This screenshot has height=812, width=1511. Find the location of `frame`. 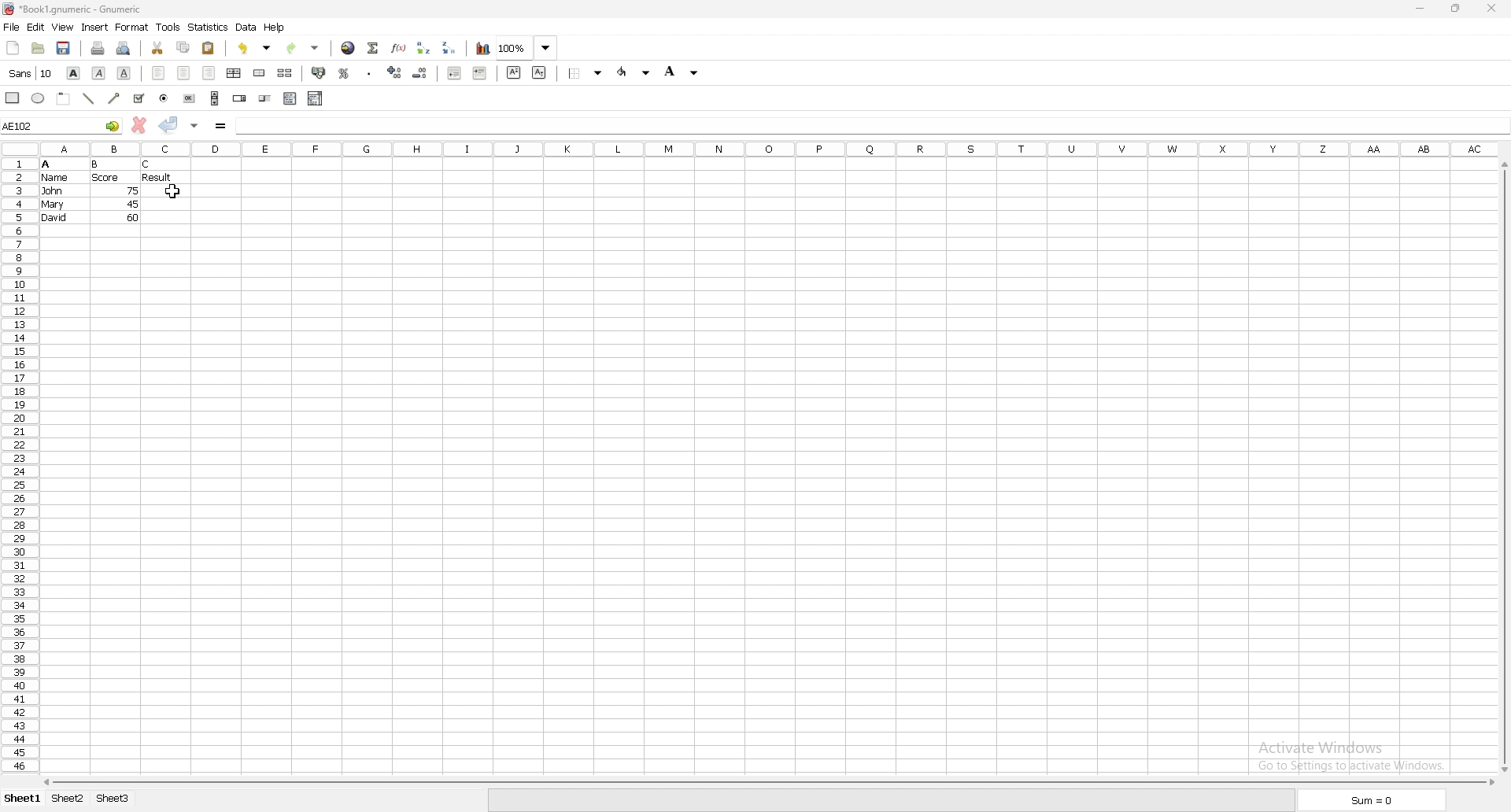

frame is located at coordinates (63, 99).